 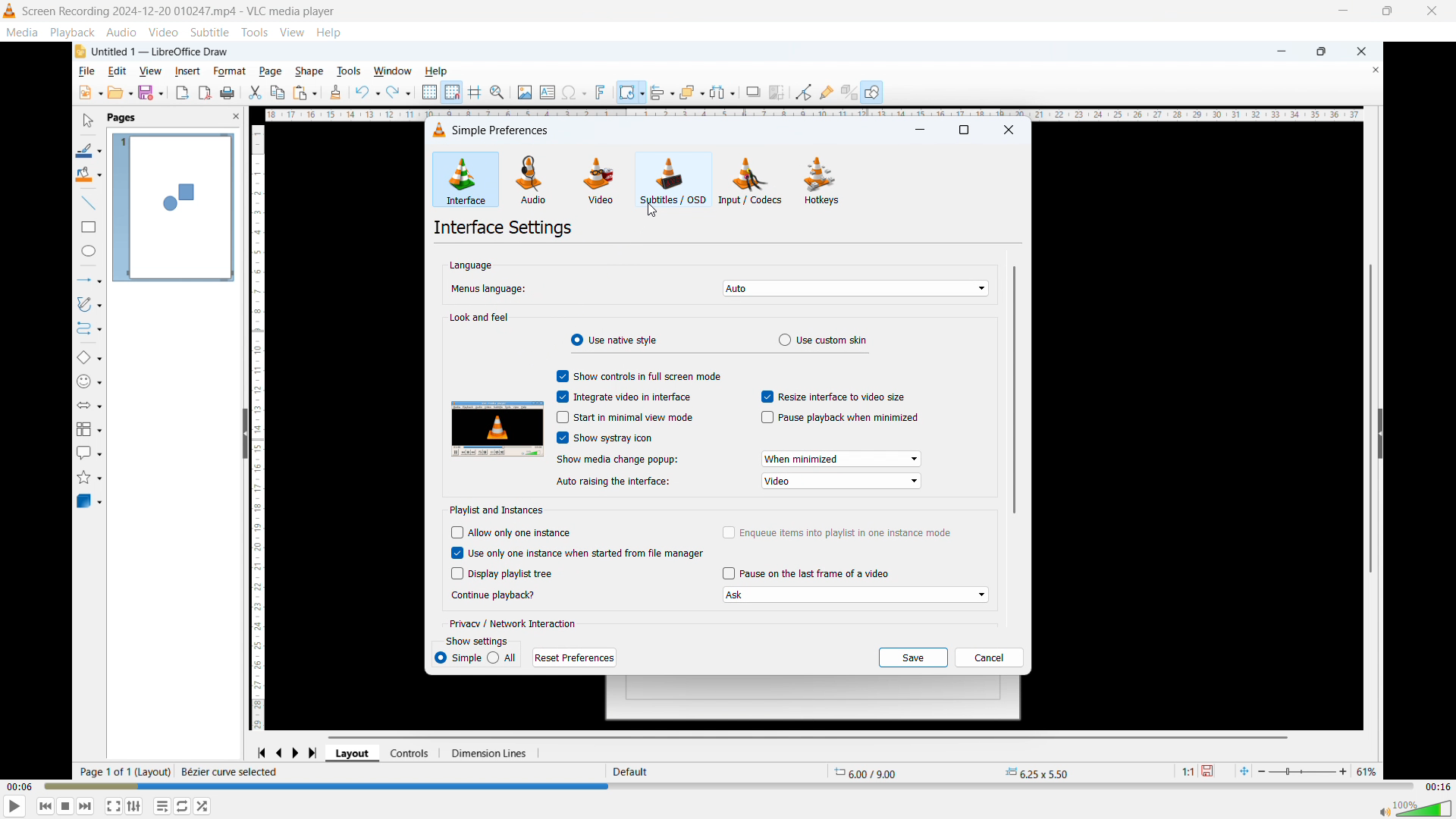 I want to click on random , so click(x=202, y=806).